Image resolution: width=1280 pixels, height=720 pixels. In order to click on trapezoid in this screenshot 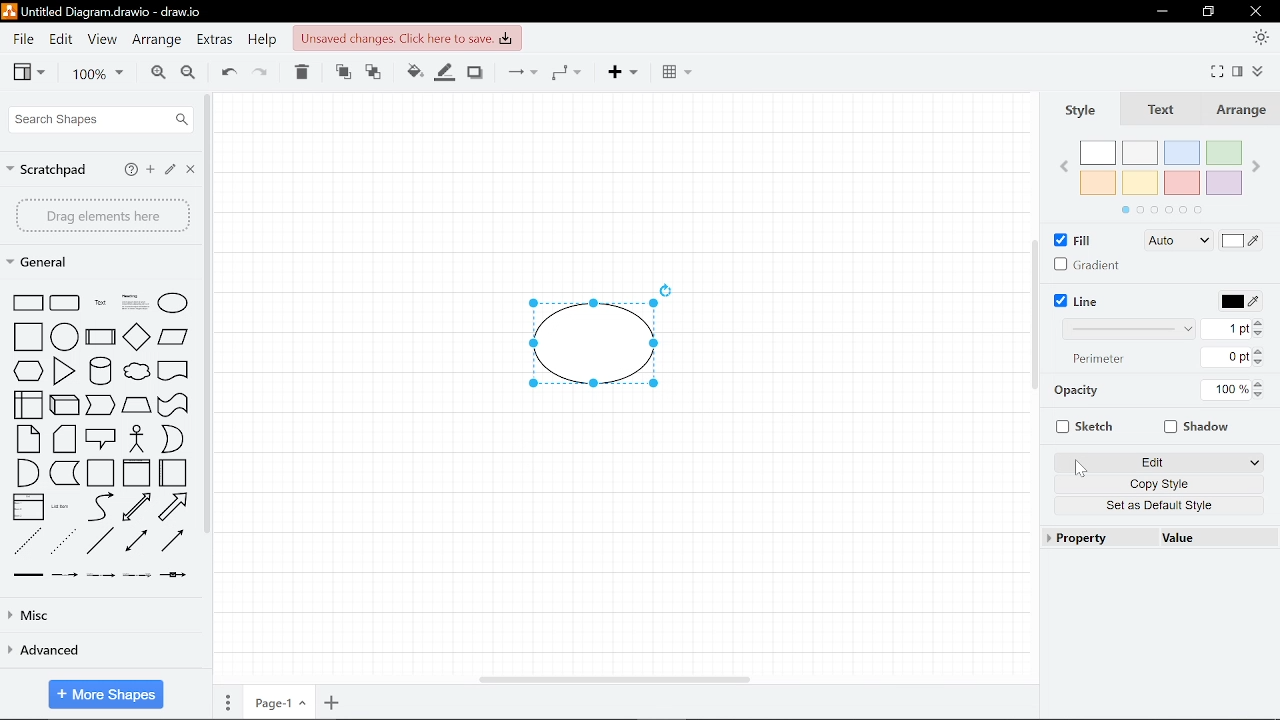, I will do `click(137, 407)`.